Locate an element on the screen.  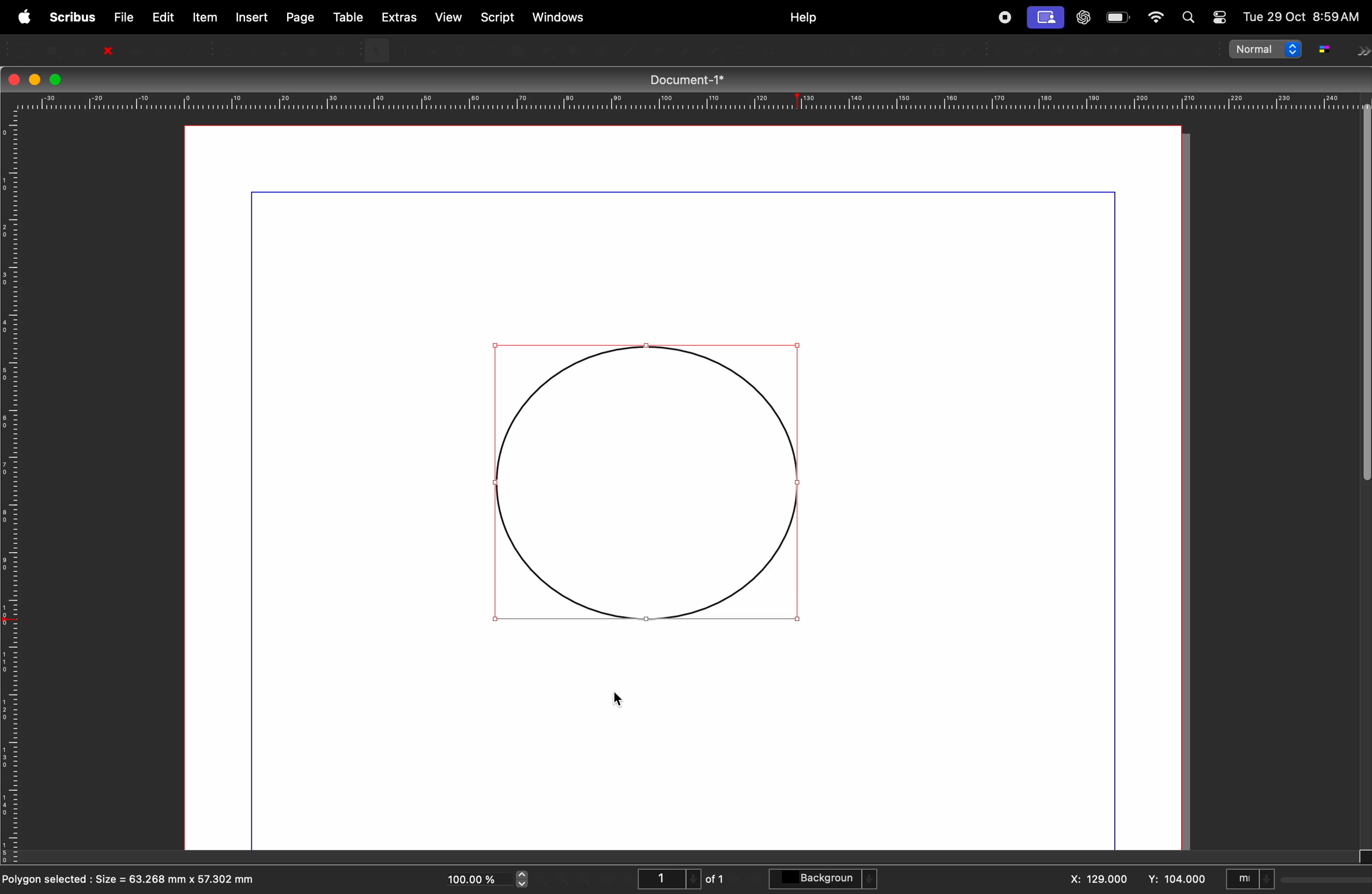
apple widgets is located at coordinates (1155, 18).